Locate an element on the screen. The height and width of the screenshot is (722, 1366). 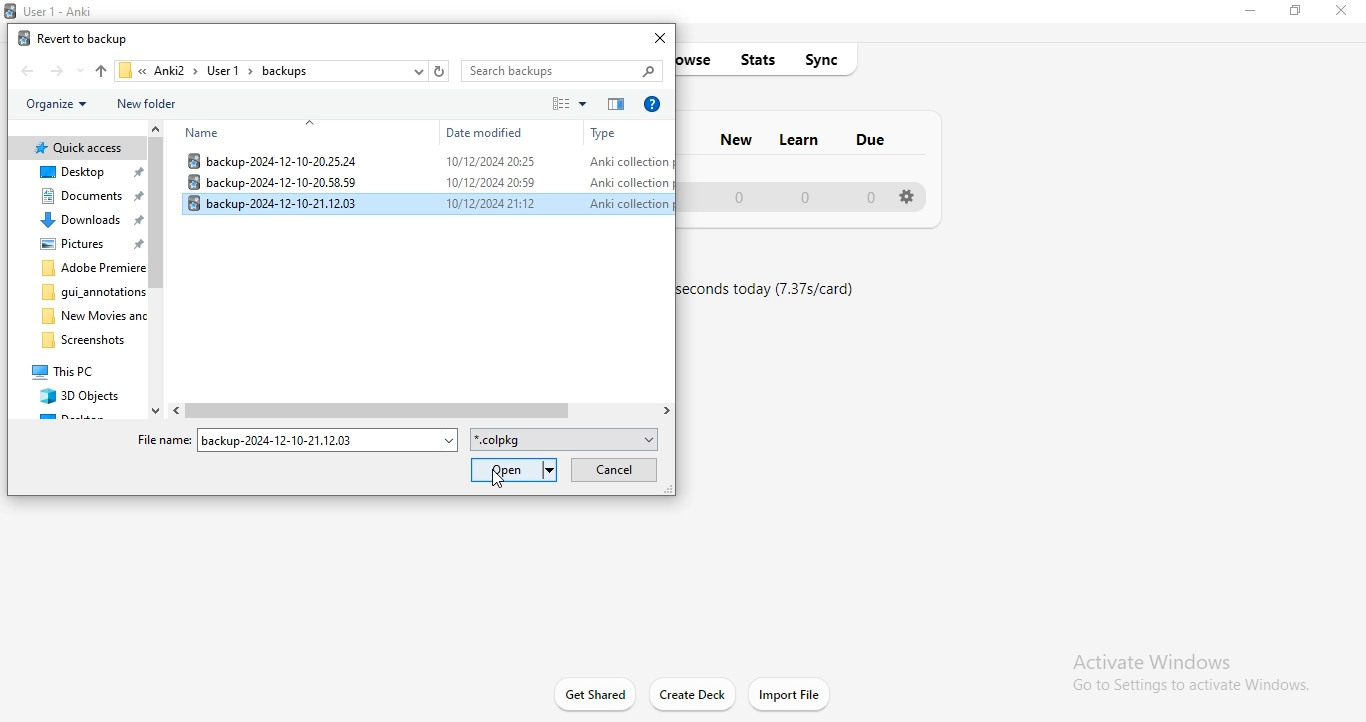
file structure is located at coordinates (77, 279).